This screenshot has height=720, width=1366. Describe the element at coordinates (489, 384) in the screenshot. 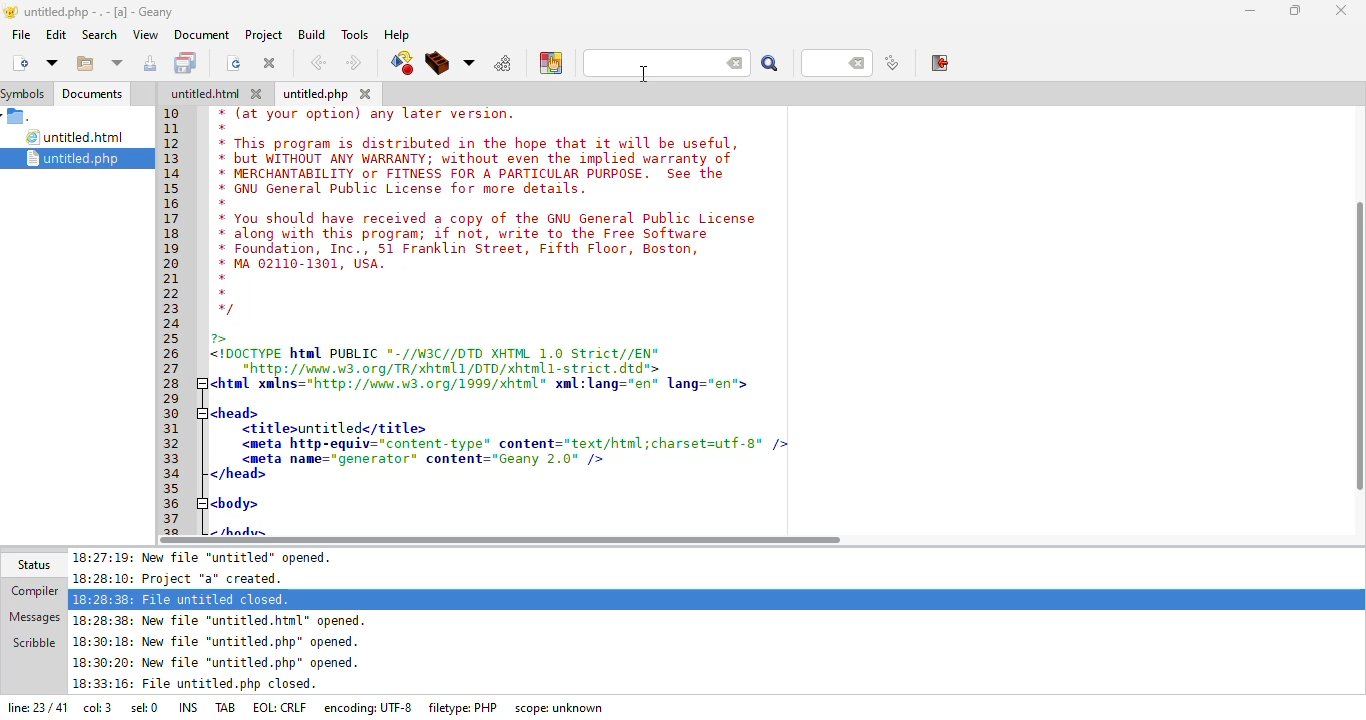

I see `<html xmlns="http://www.w3.org/1999/xhtml" xml:lang="en" lang="en">` at that location.